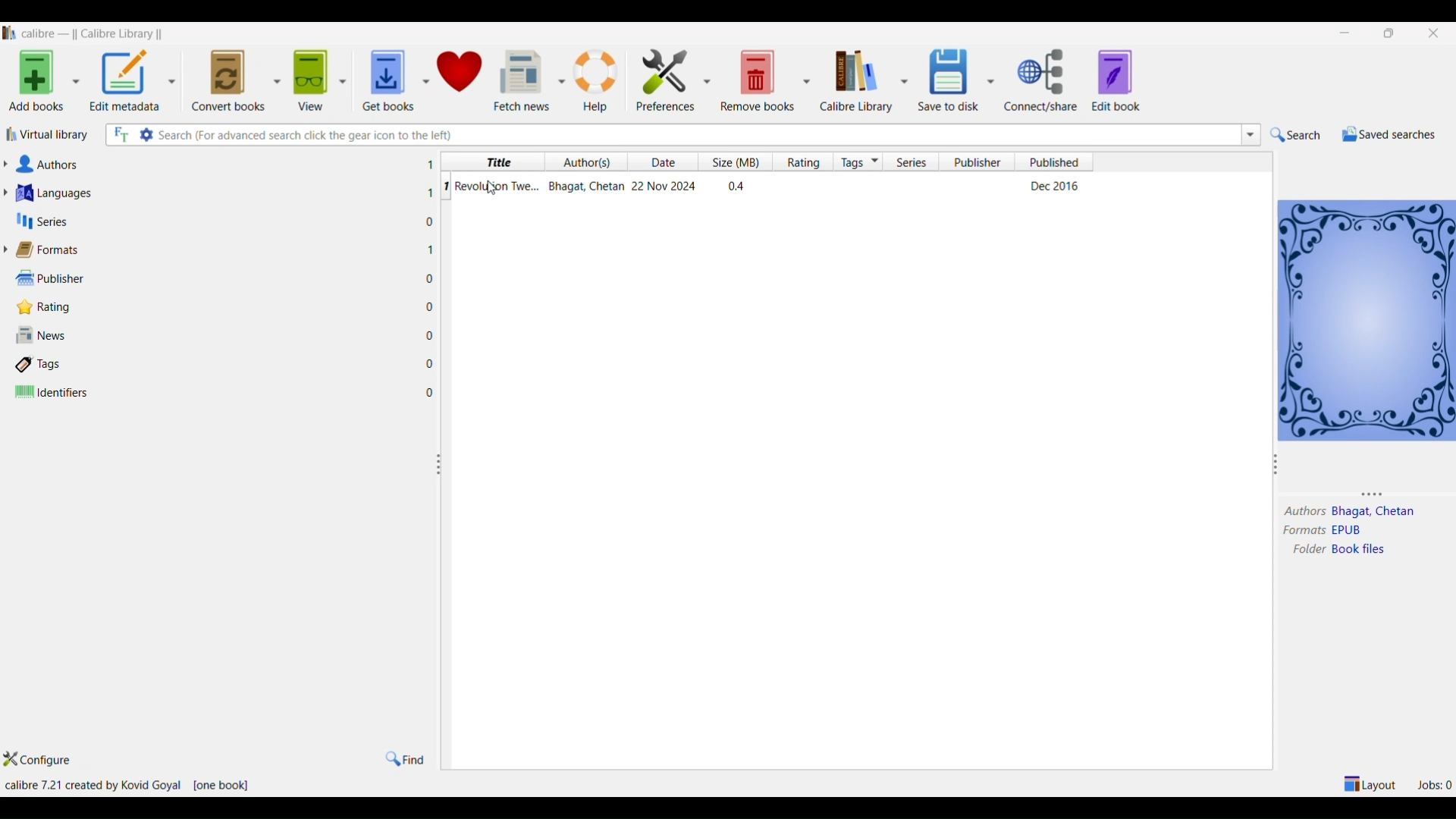  Describe the element at coordinates (1055, 162) in the screenshot. I see `published` at that location.